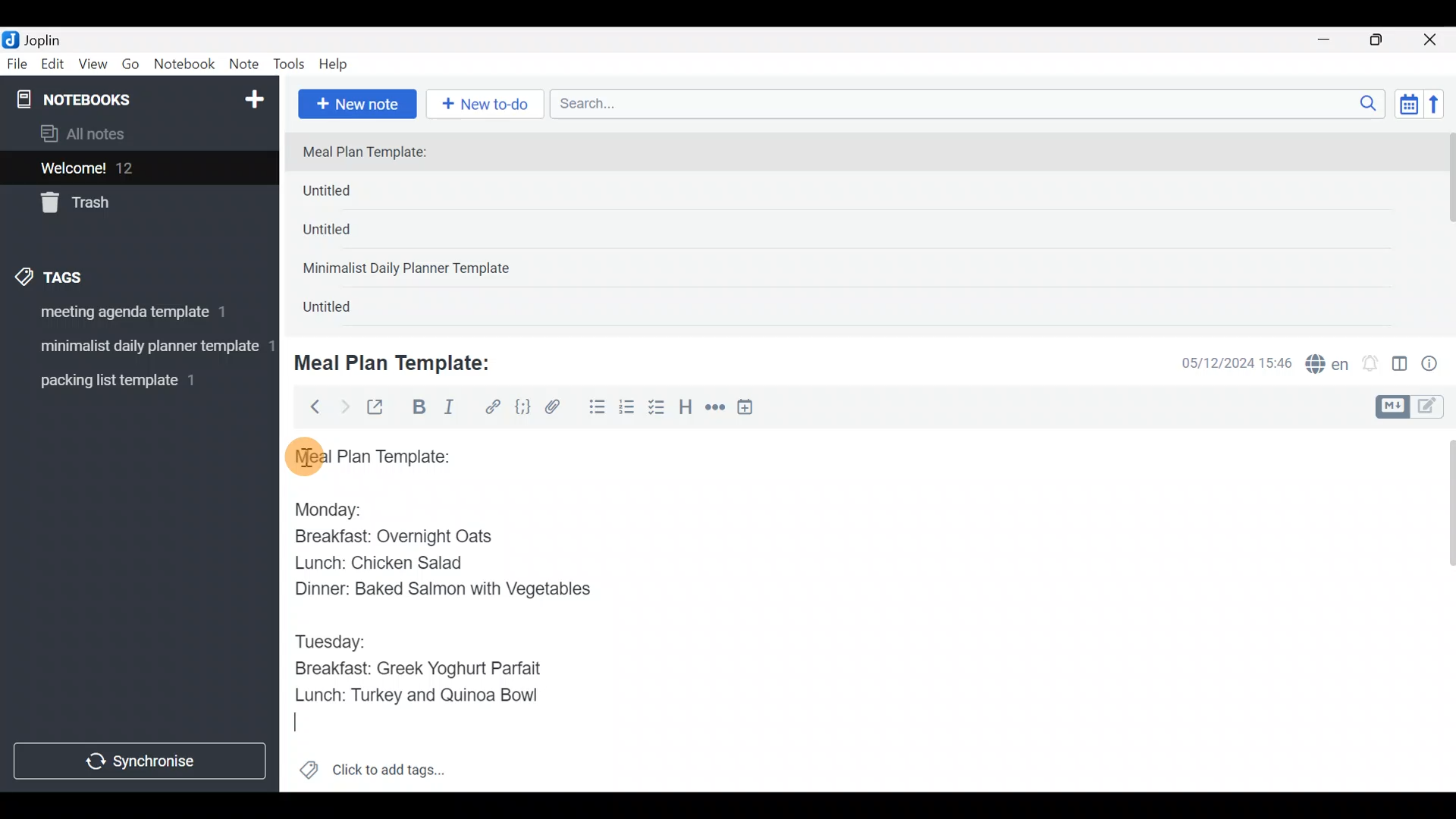 This screenshot has width=1456, height=819. I want to click on Notebooks, so click(107, 99).